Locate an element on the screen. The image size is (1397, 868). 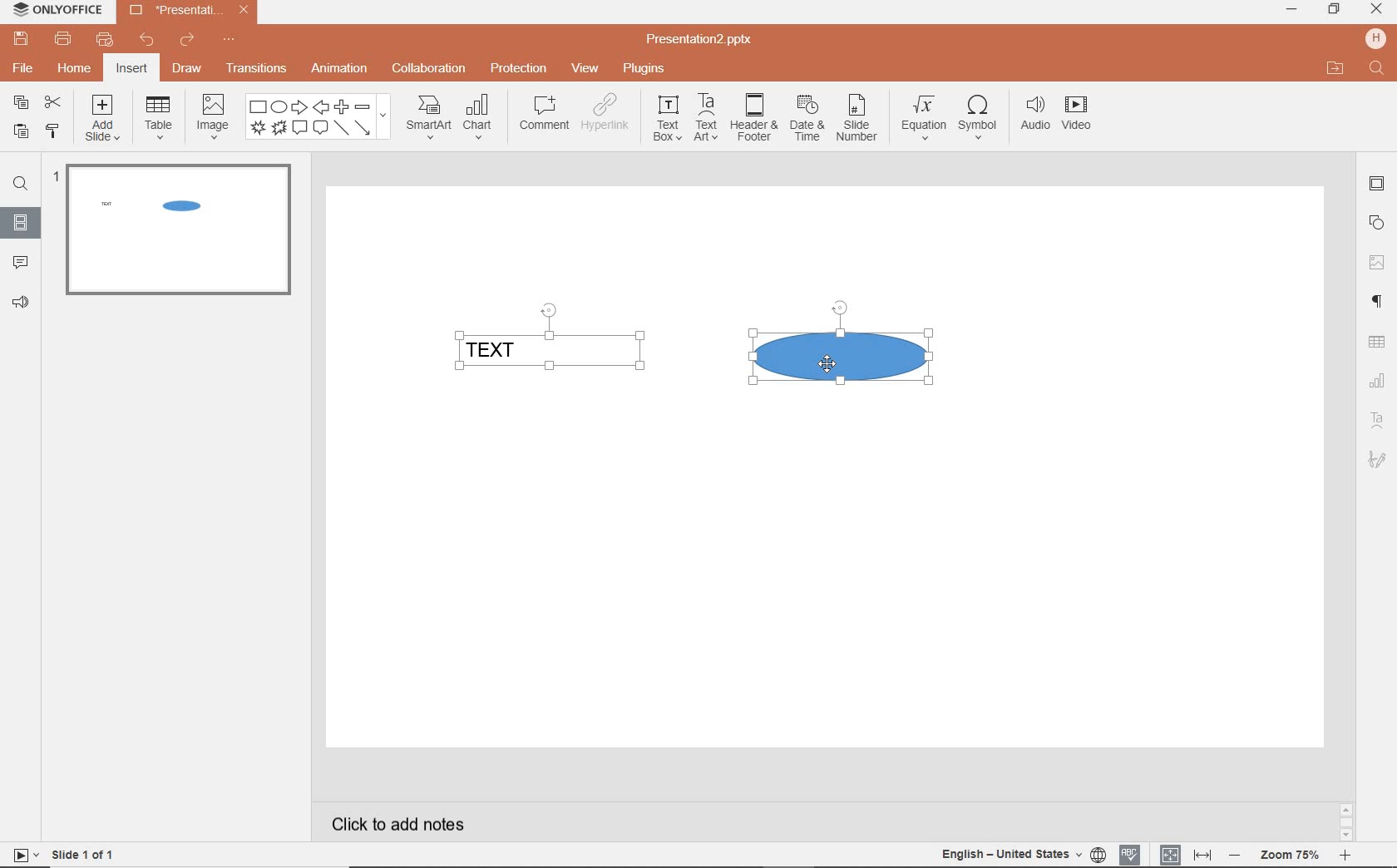
video is located at coordinates (1078, 116).